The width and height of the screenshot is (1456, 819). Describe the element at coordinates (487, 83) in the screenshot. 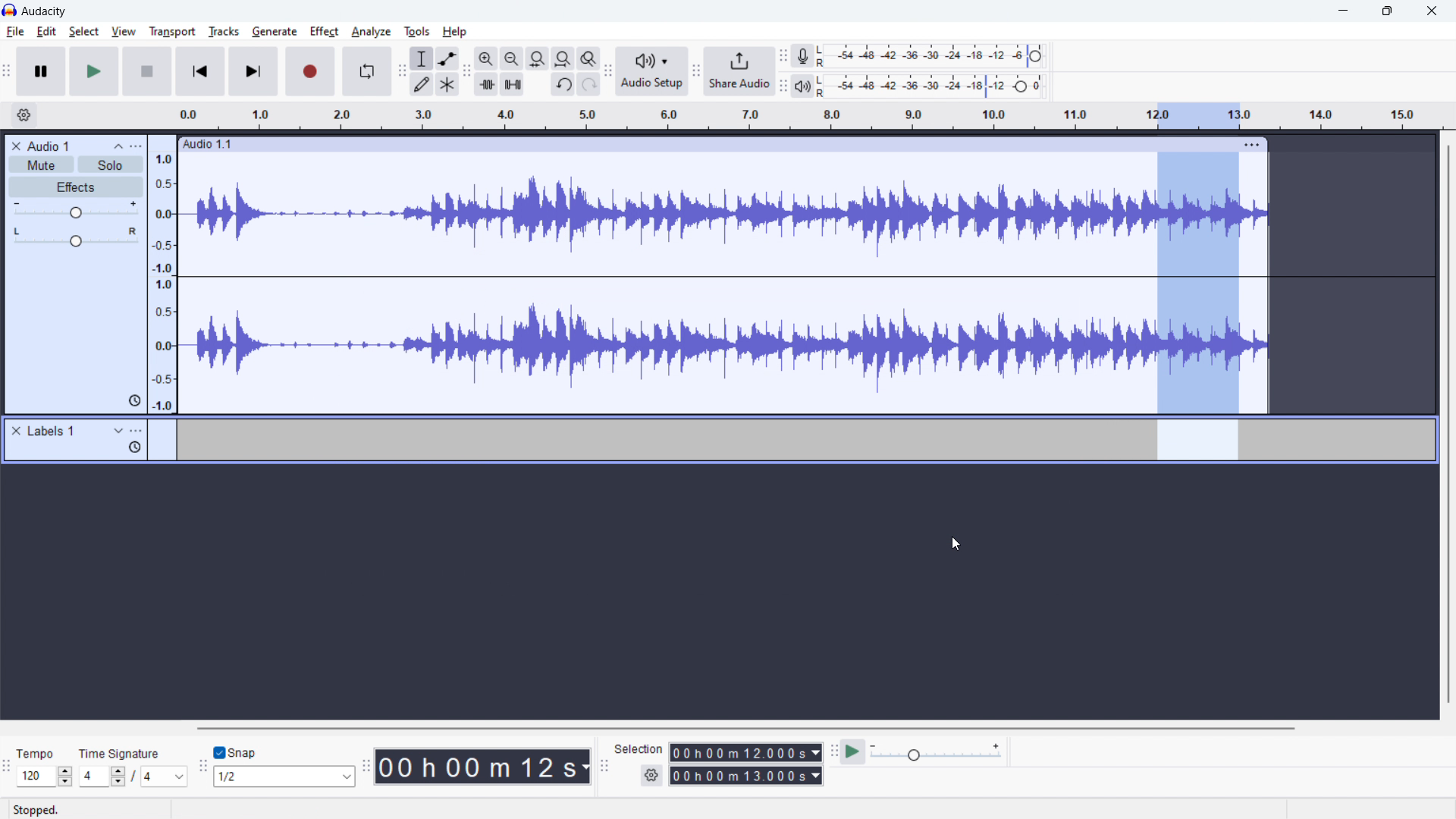

I see `trim audio outside selection` at that location.